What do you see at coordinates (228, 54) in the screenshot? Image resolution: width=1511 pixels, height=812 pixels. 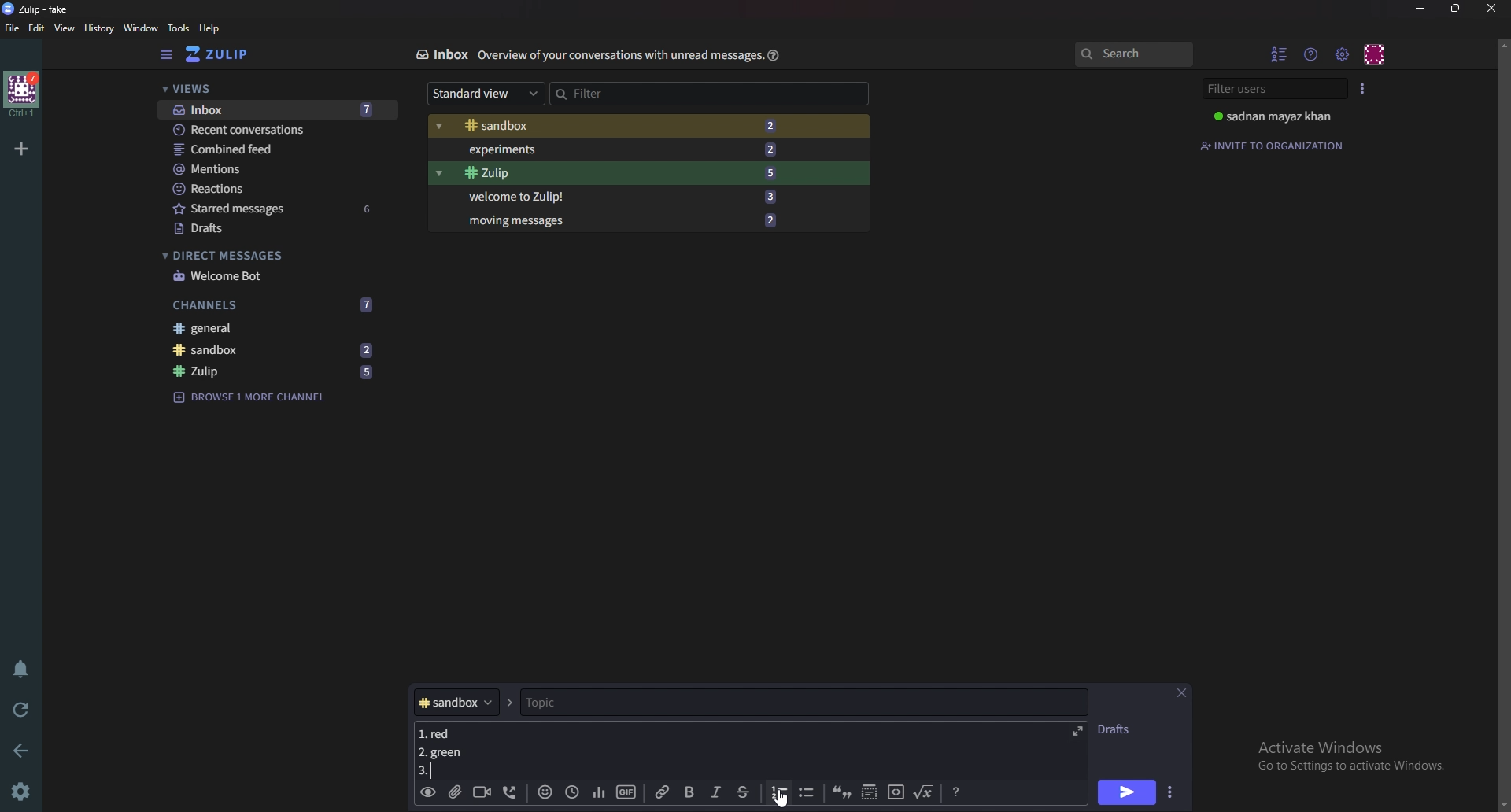 I see `Home view` at bounding box center [228, 54].